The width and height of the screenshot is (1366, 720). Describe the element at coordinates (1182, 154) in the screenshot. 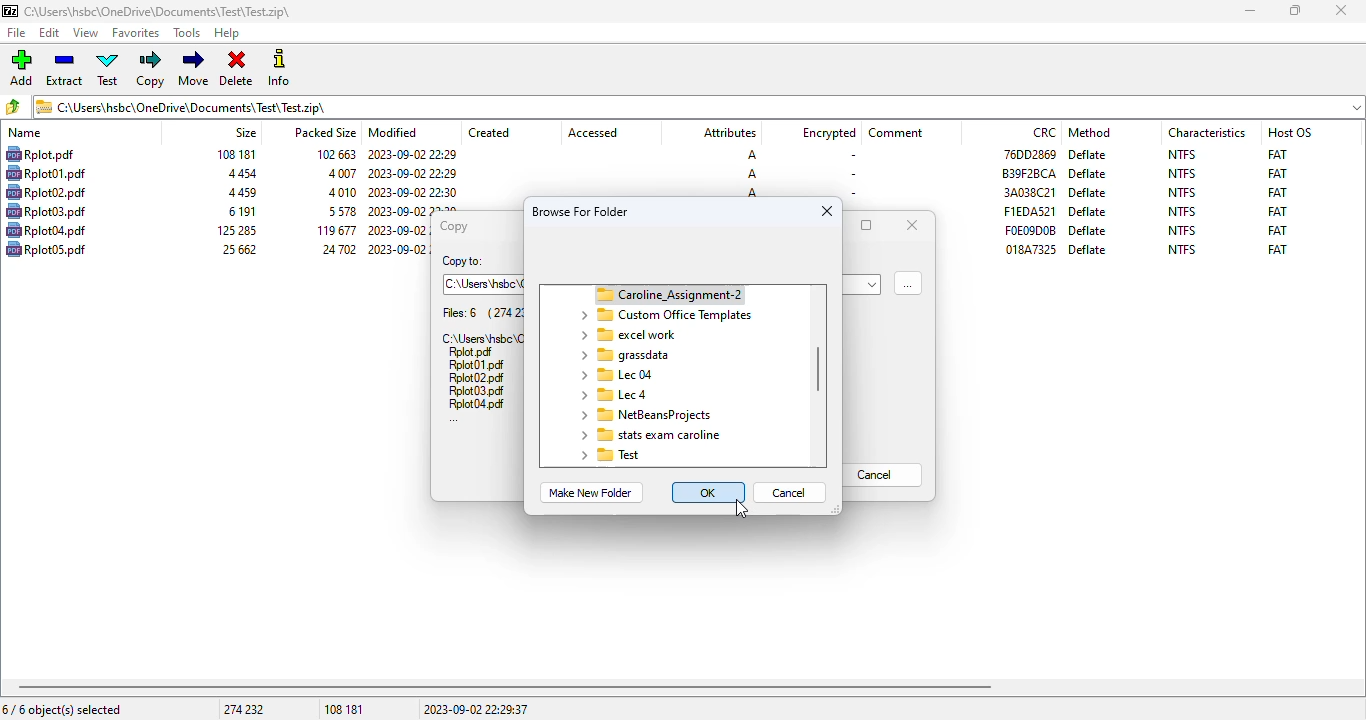

I see `NTFS` at that location.